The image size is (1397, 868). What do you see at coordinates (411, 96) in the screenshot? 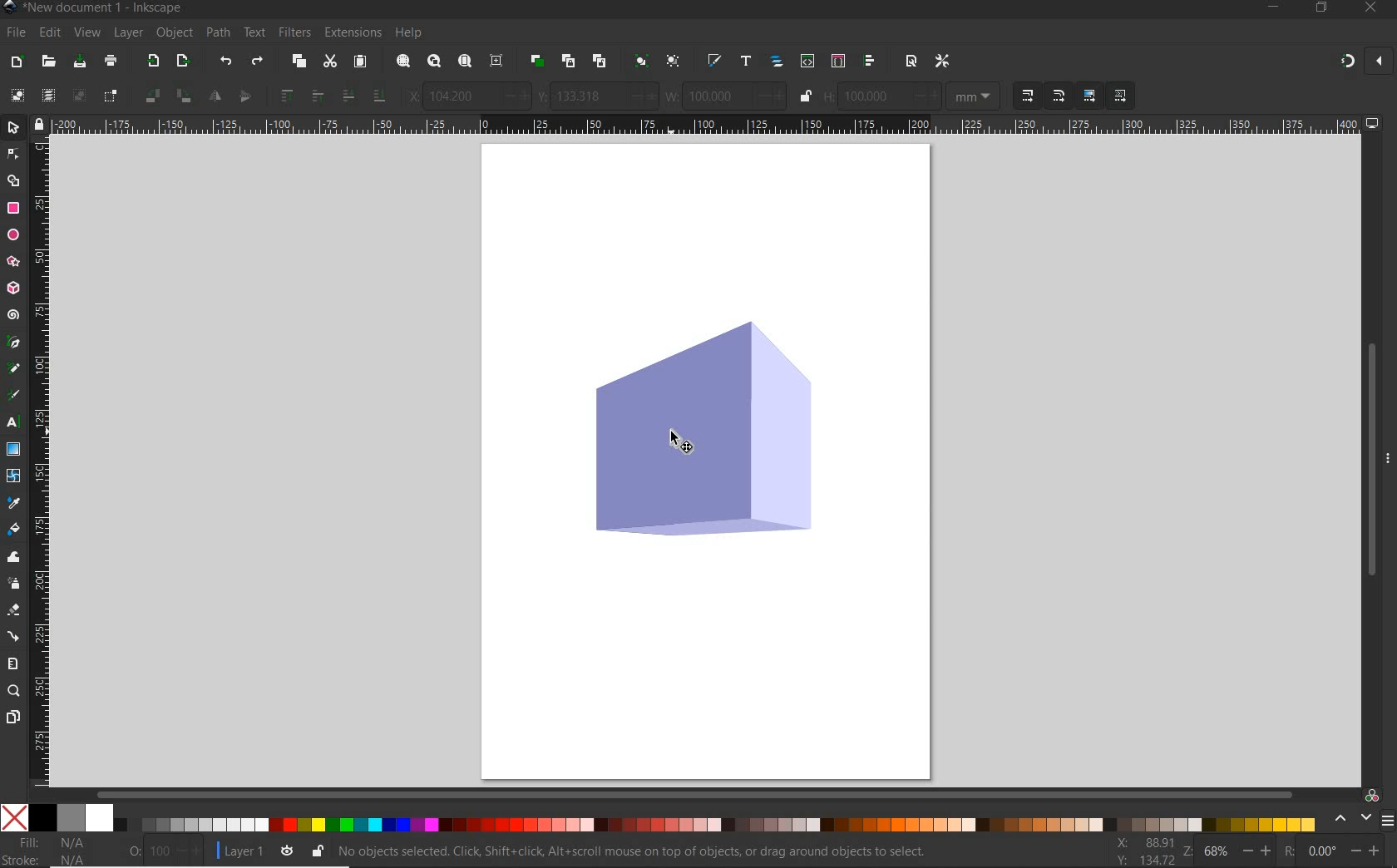
I see `HORIZONTAL COORDINATE SELECTION` at bounding box center [411, 96].